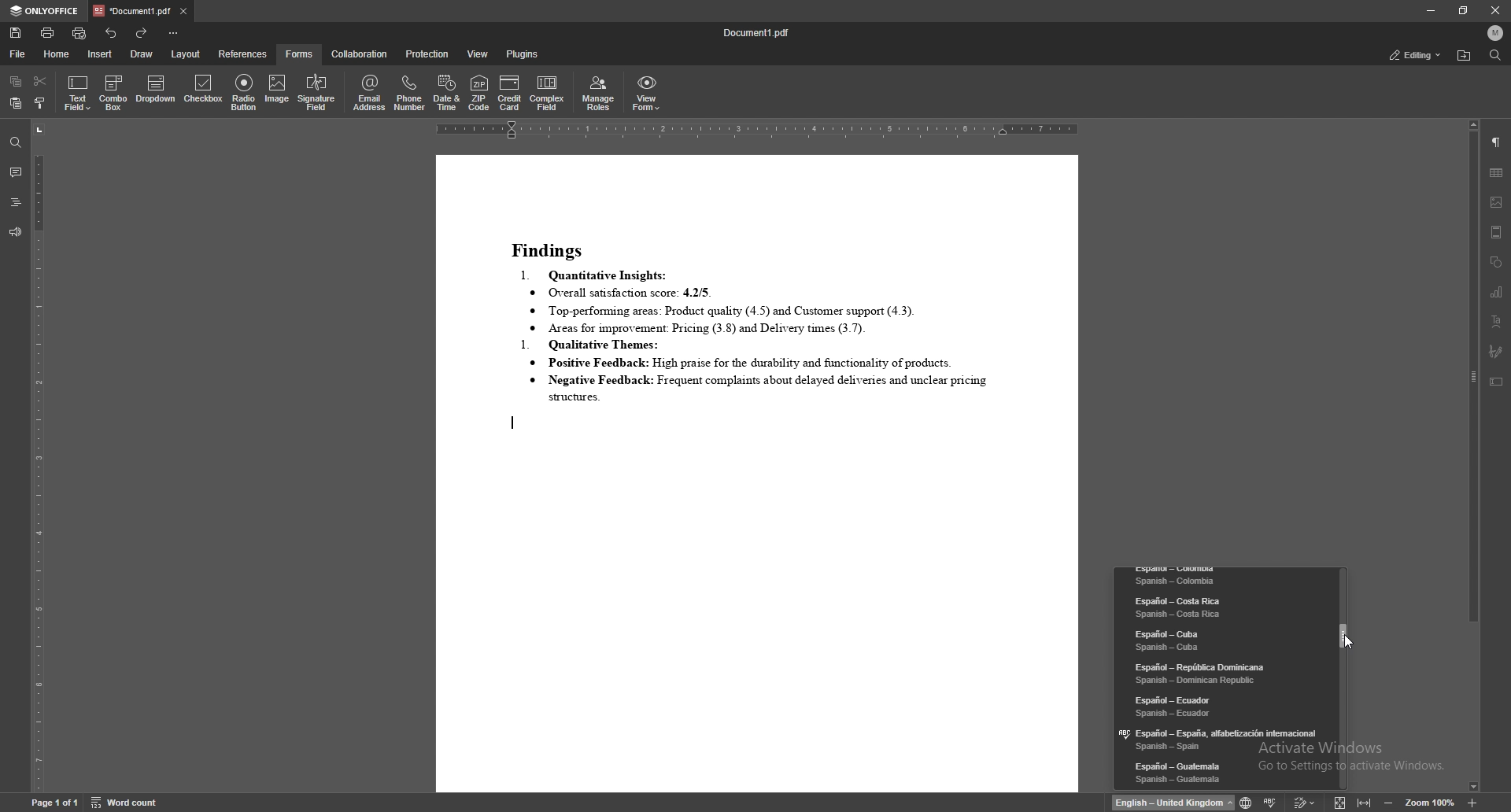 The height and width of the screenshot is (812, 1511). What do you see at coordinates (756, 474) in the screenshot?
I see `document` at bounding box center [756, 474].